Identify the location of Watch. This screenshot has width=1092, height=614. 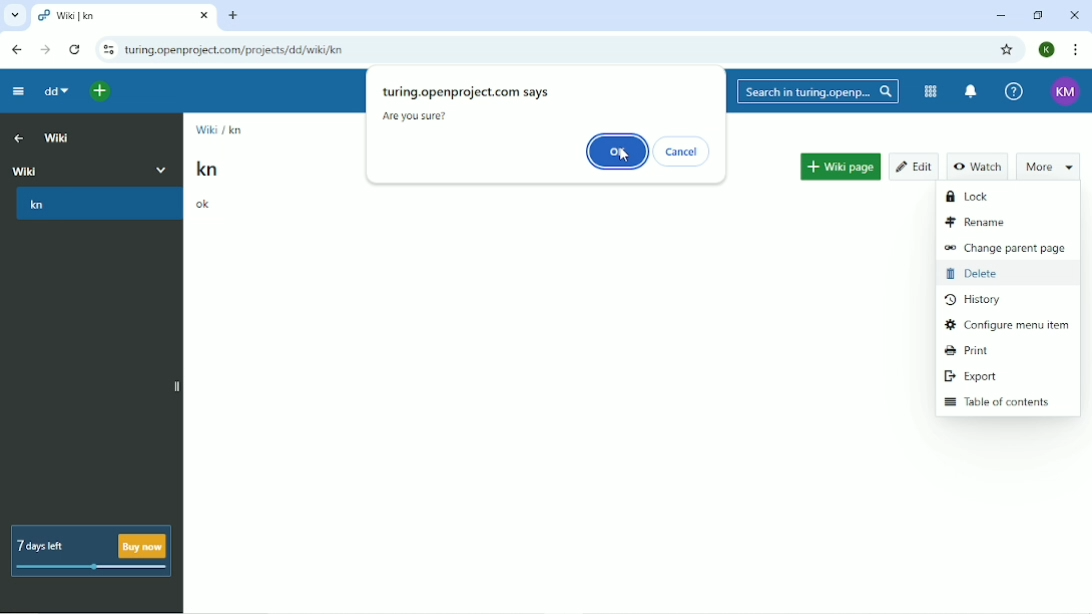
(979, 167).